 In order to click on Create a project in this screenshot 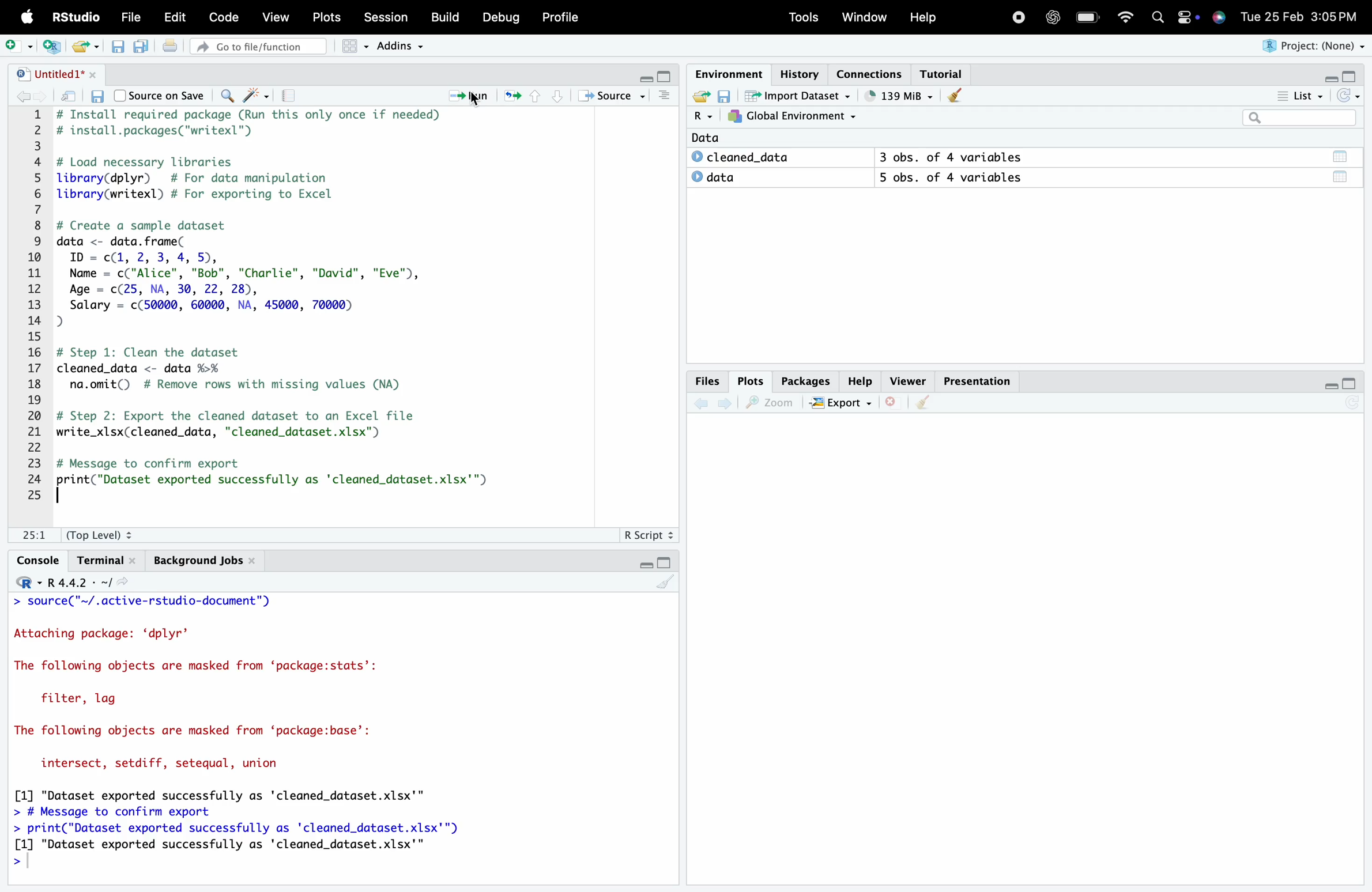, I will do `click(49, 46)`.